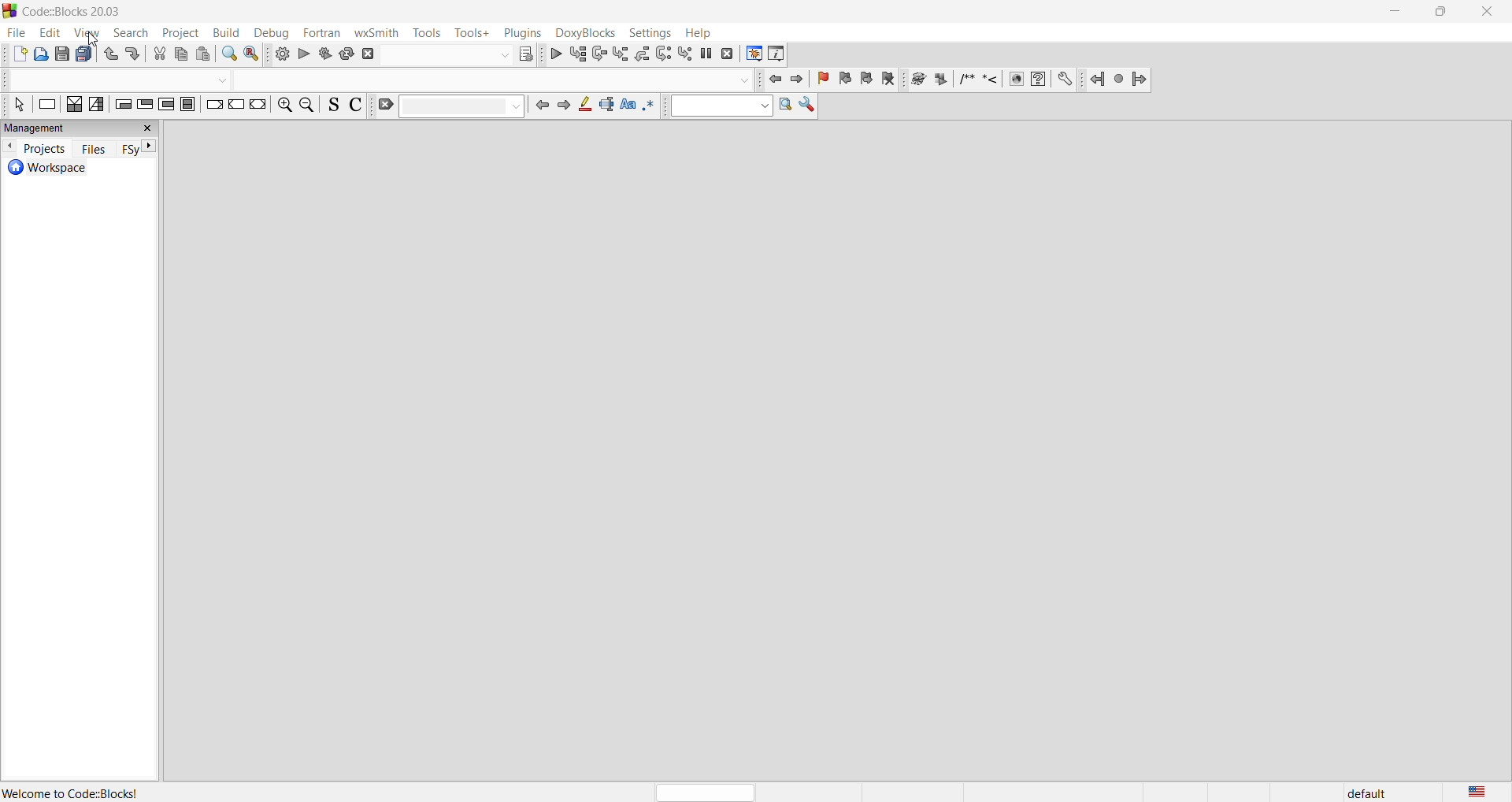  What do you see at coordinates (796, 78) in the screenshot?
I see `` at bounding box center [796, 78].